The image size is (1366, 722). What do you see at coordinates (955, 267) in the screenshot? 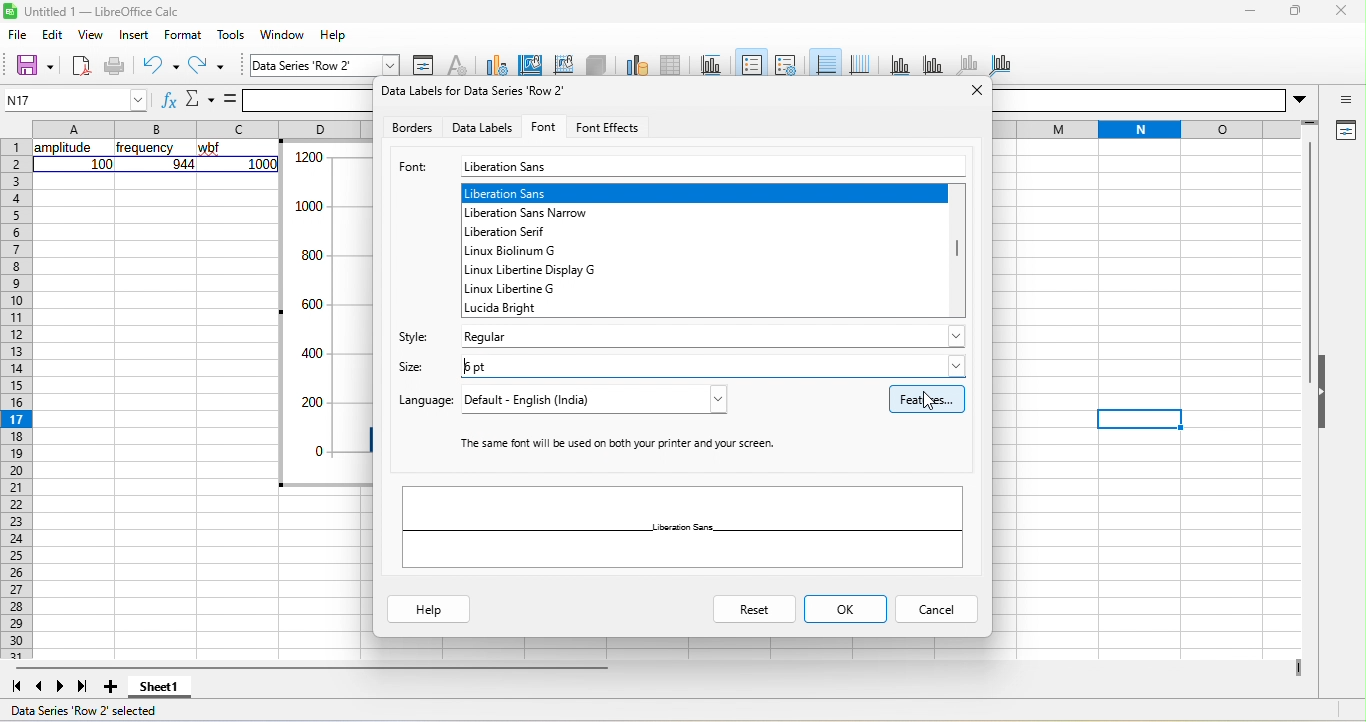
I see `vertical scroll bar` at bounding box center [955, 267].